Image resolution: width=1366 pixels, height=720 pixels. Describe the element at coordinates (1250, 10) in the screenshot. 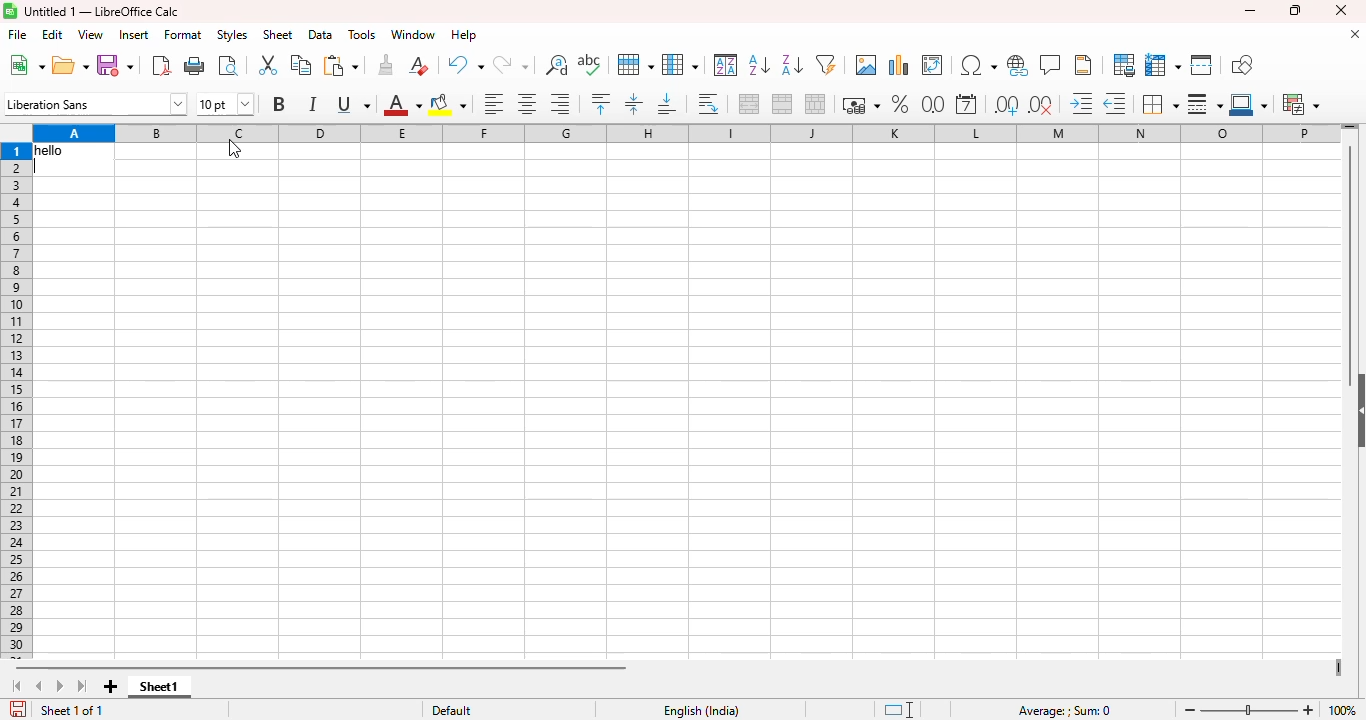

I see `minimize` at that location.